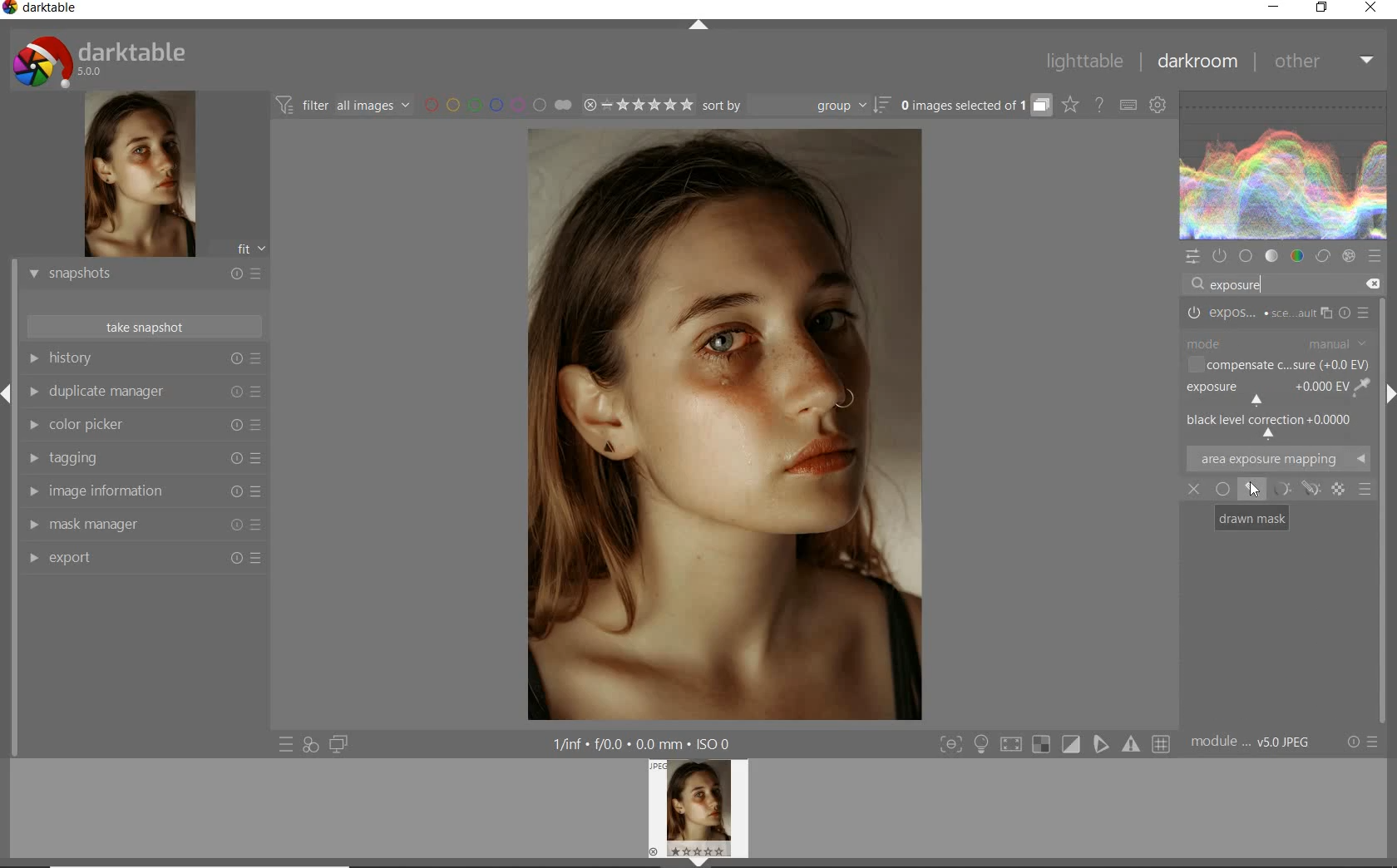  I want to click on restore, so click(1322, 11).